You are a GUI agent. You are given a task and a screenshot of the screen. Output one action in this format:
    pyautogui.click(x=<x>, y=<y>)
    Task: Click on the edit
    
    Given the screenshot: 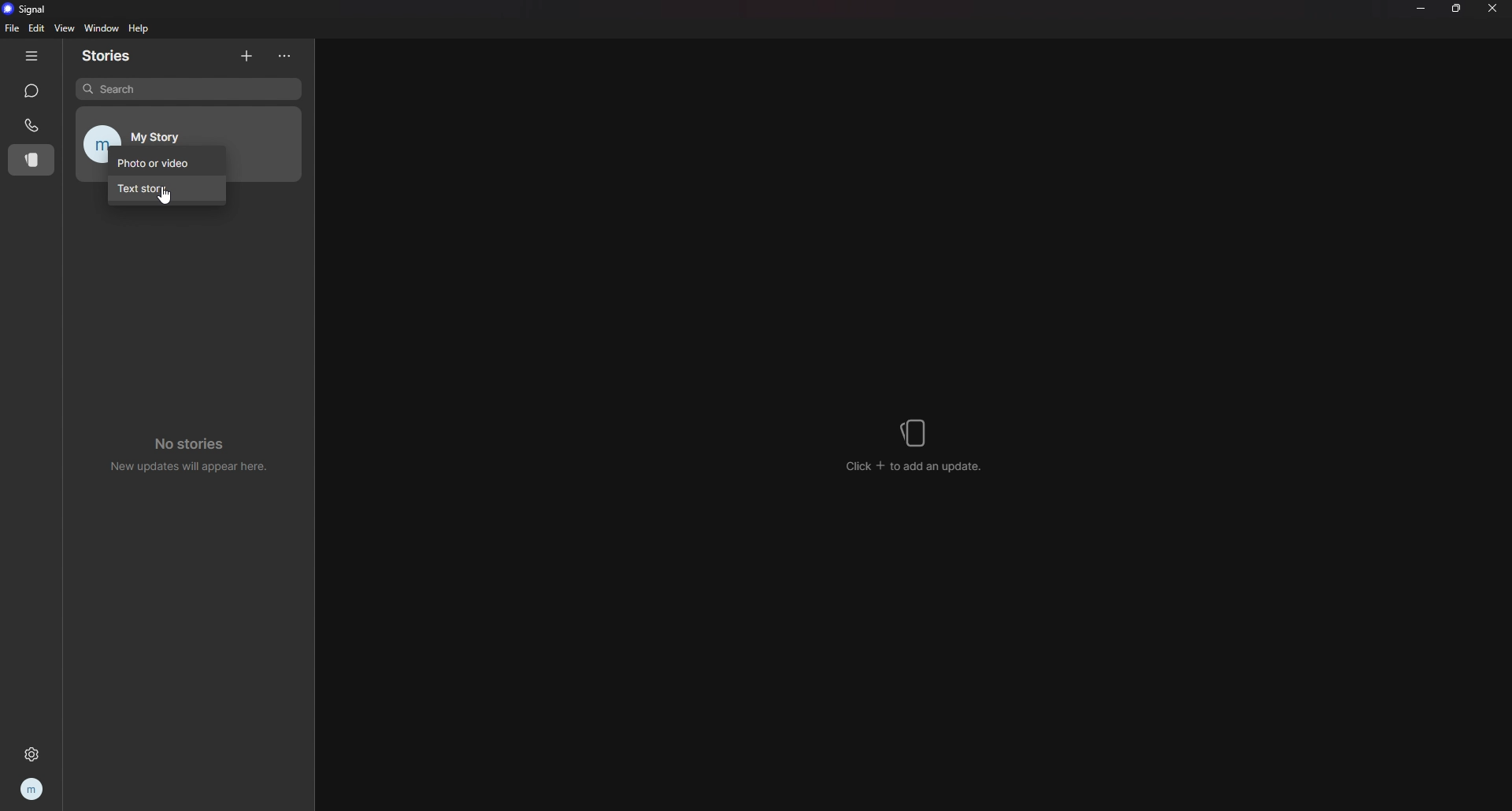 What is the action you would take?
    pyautogui.click(x=37, y=28)
    